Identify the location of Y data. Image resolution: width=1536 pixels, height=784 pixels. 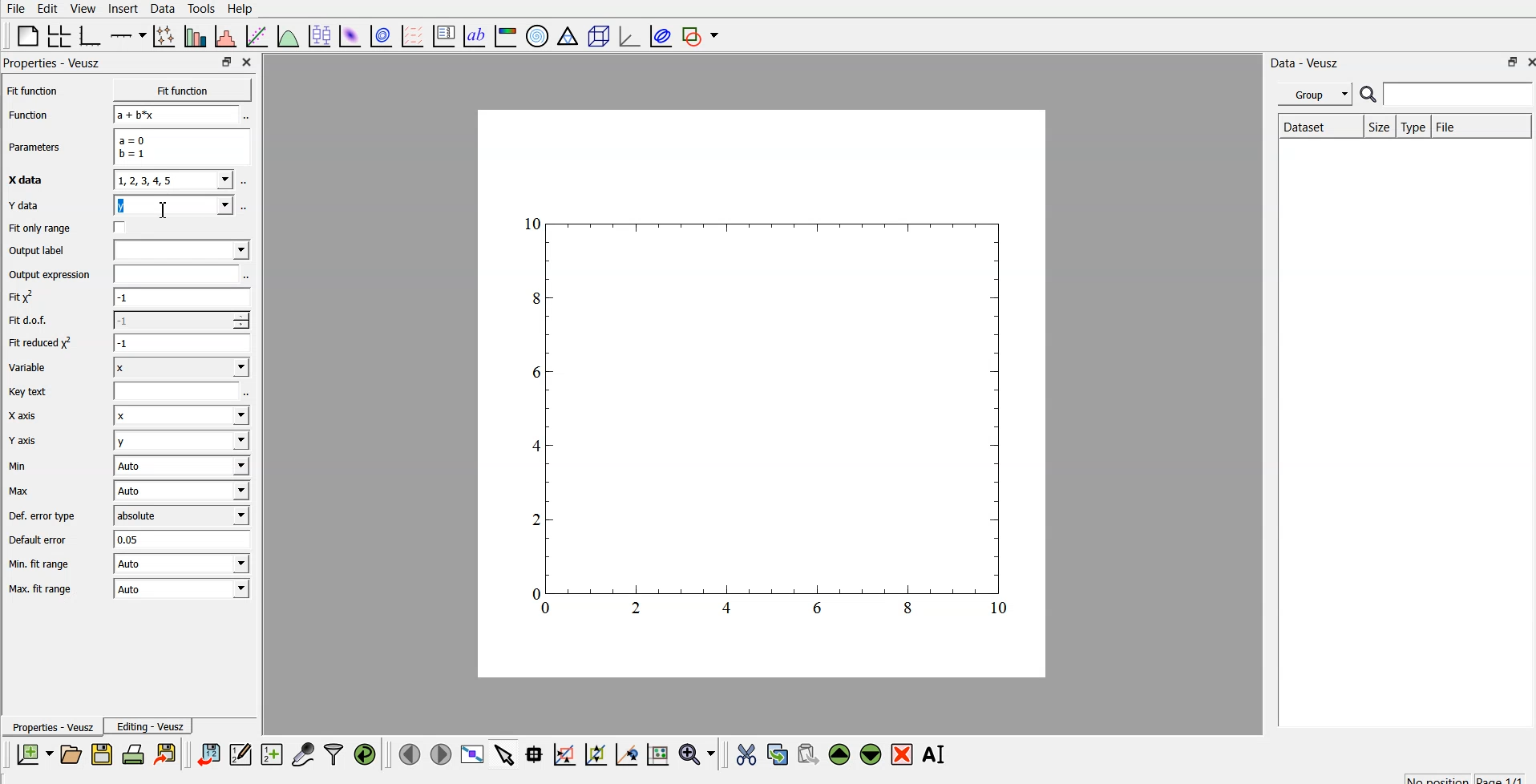
(47, 208).